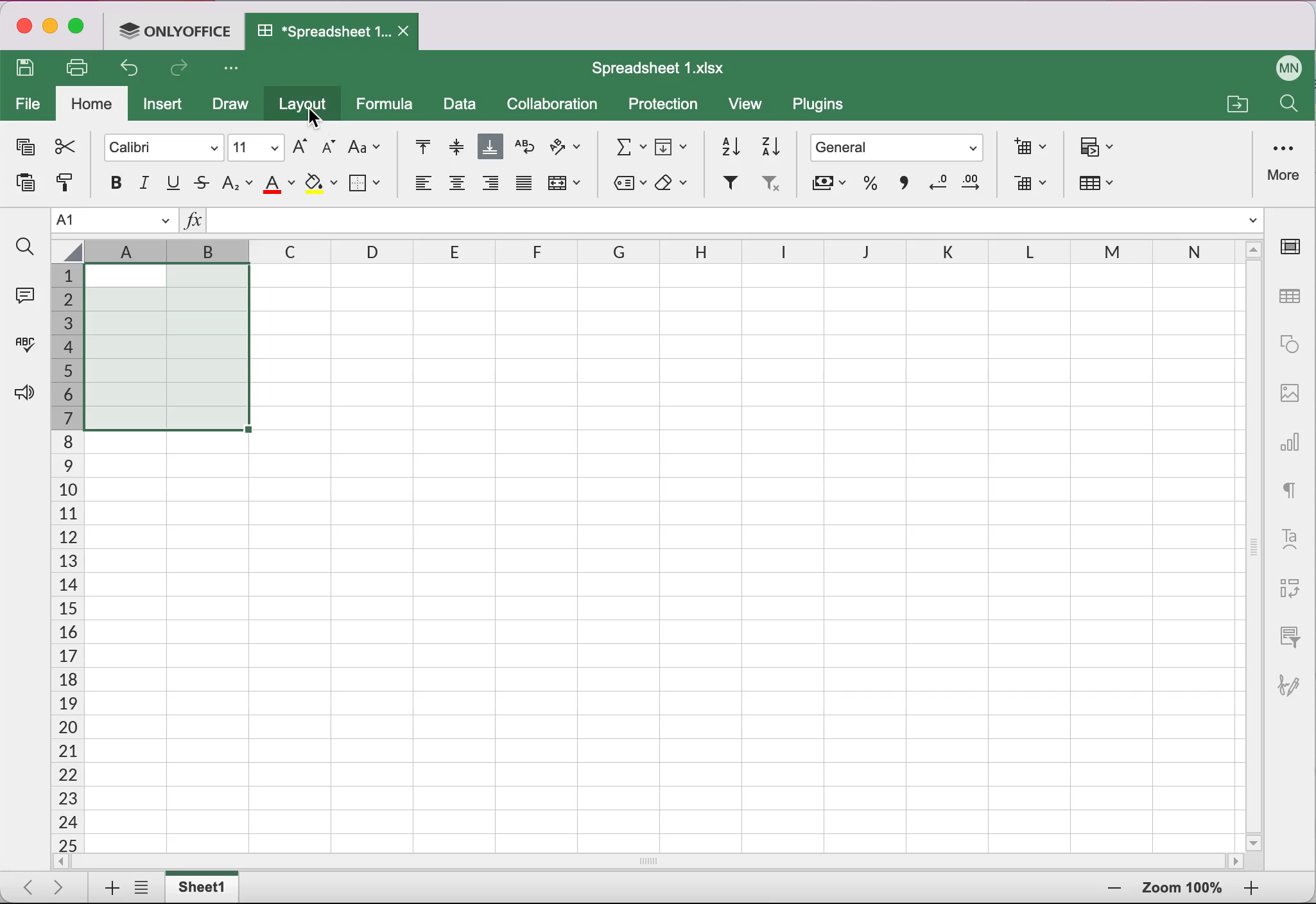  Describe the element at coordinates (21, 394) in the screenshot. I see `feedback and support` at that location.